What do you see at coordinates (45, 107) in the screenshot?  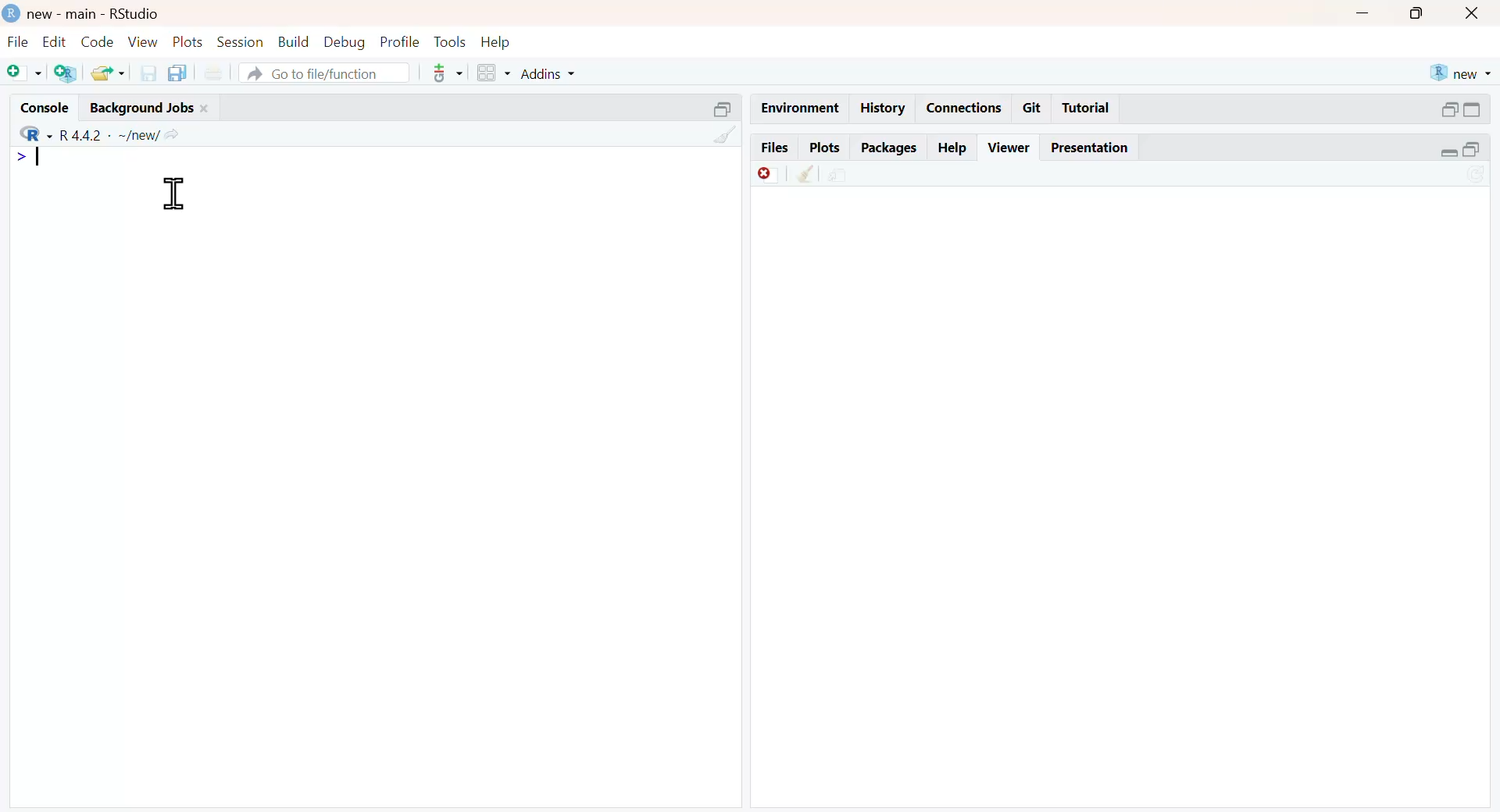 I see `console` at bounding box center [45, 107].